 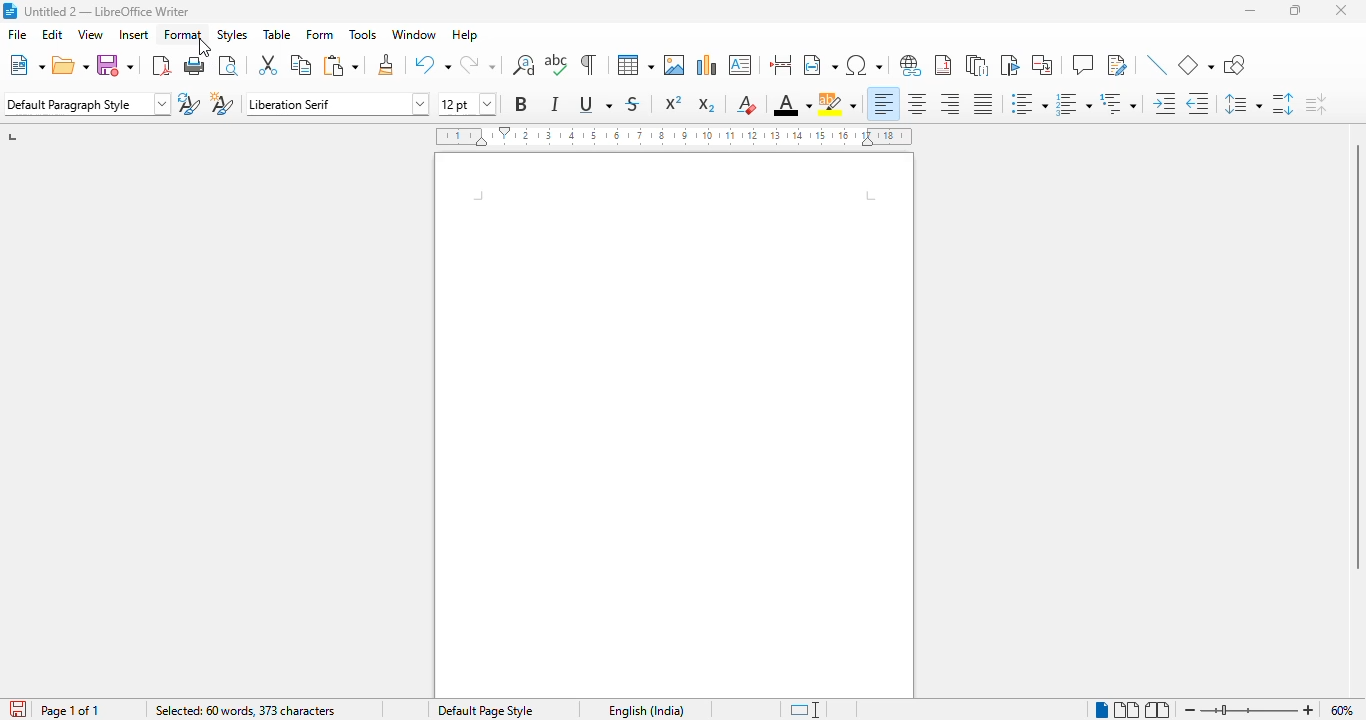 What do you see at coordinates (806, 710) in the screenshot?
I see `standard selection` at bounding box center [806, 710].